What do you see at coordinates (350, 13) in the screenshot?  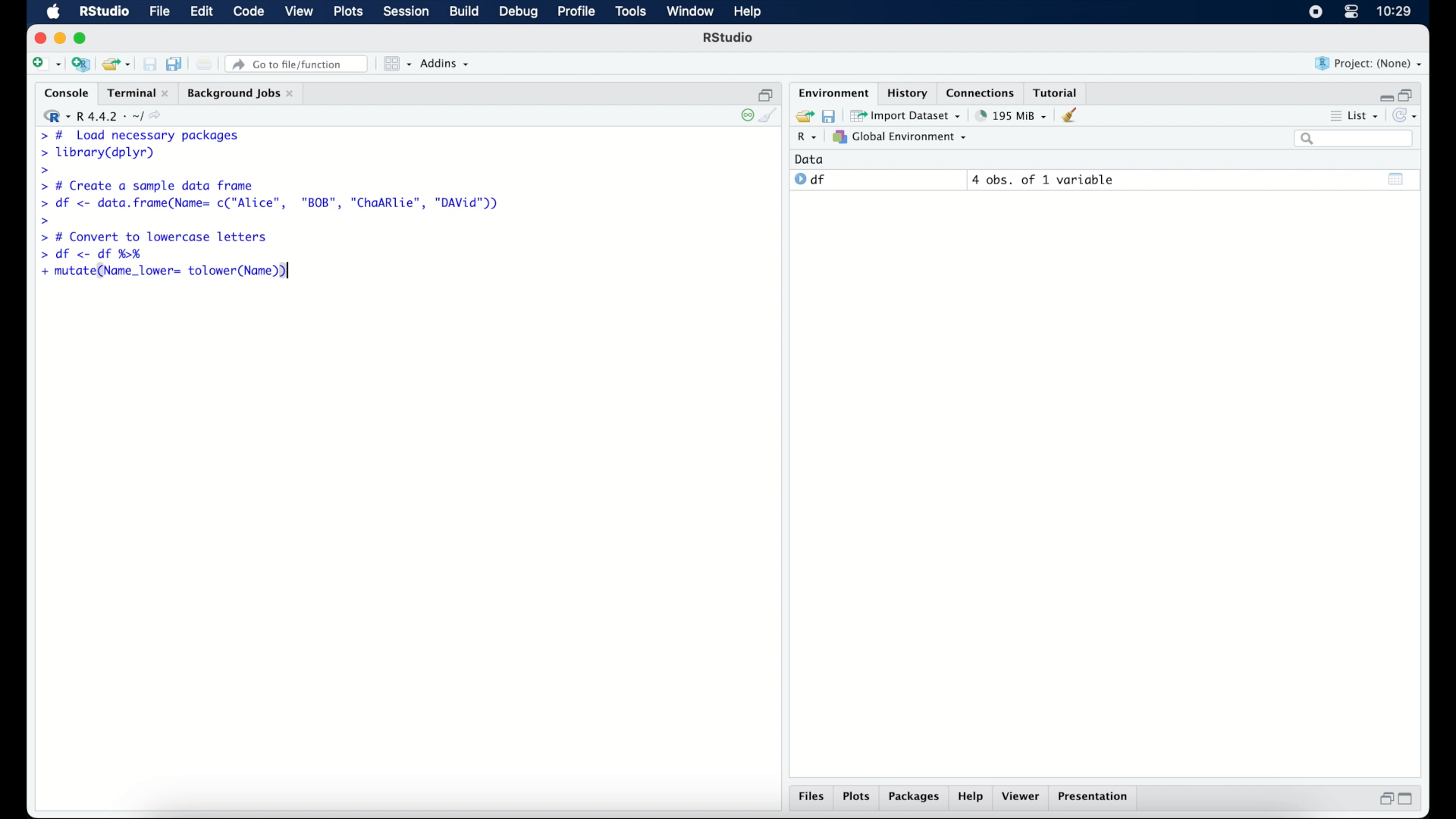 I see `plots` at bounding box center [350, 13].